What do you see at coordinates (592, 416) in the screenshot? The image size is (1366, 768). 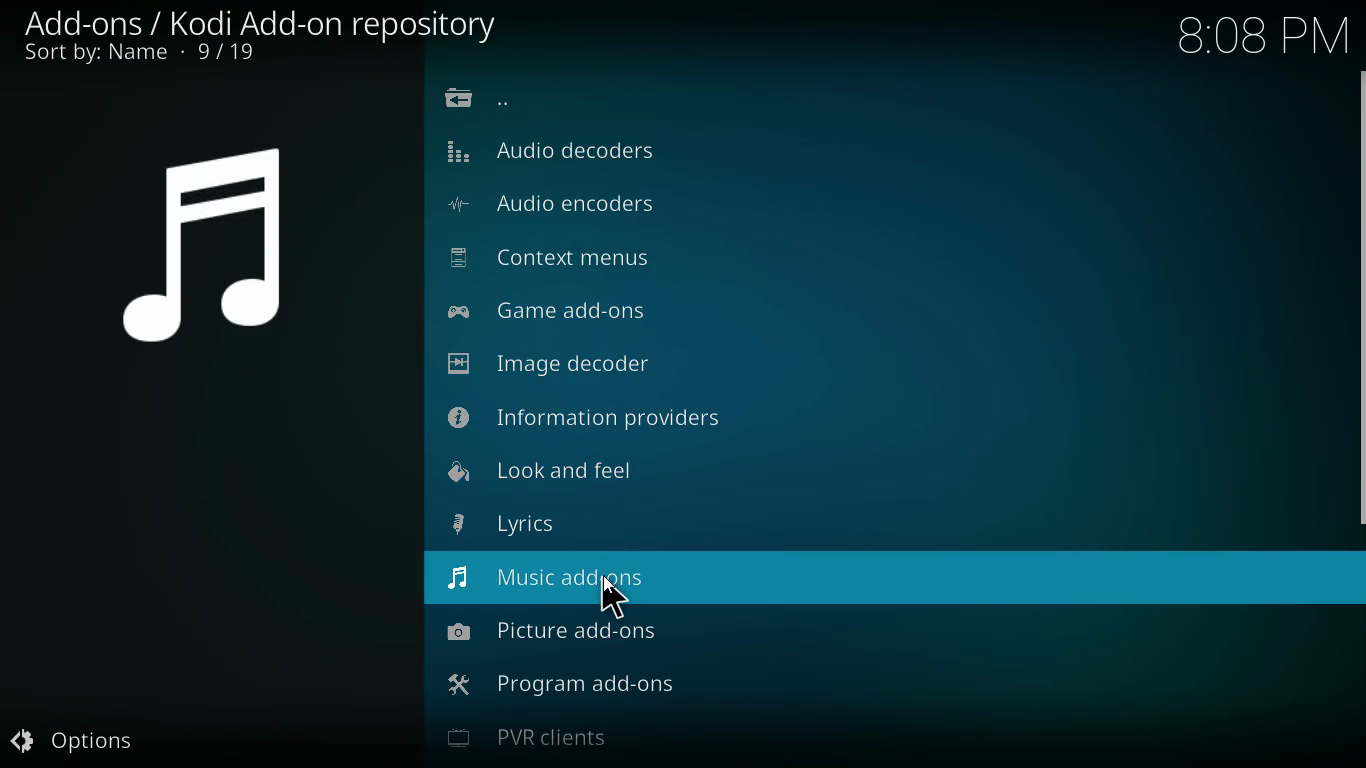 I see `Information providers` at bounding box center [592, 416].